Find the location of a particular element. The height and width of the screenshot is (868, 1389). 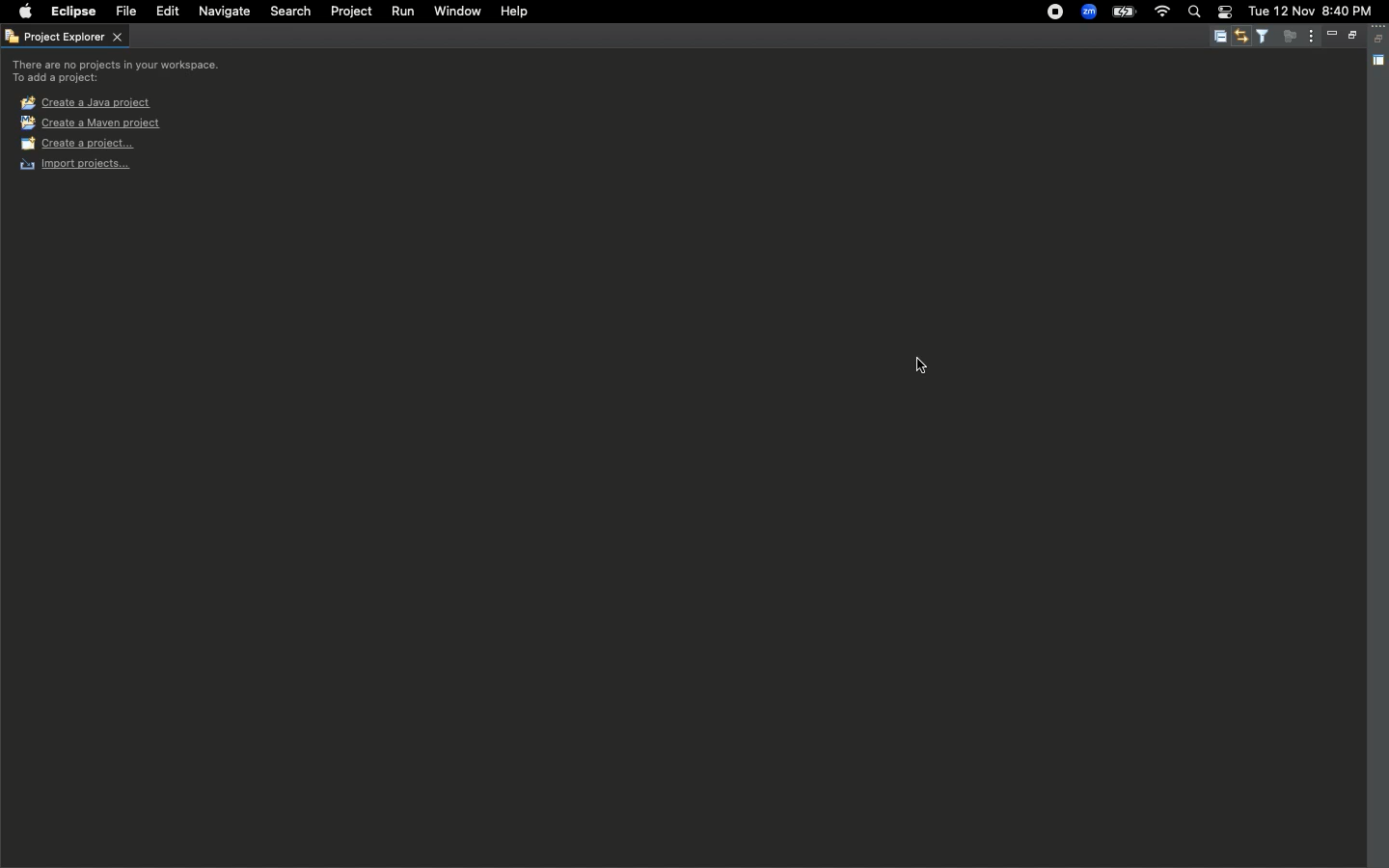

Window is located at coordinates (456, 14).